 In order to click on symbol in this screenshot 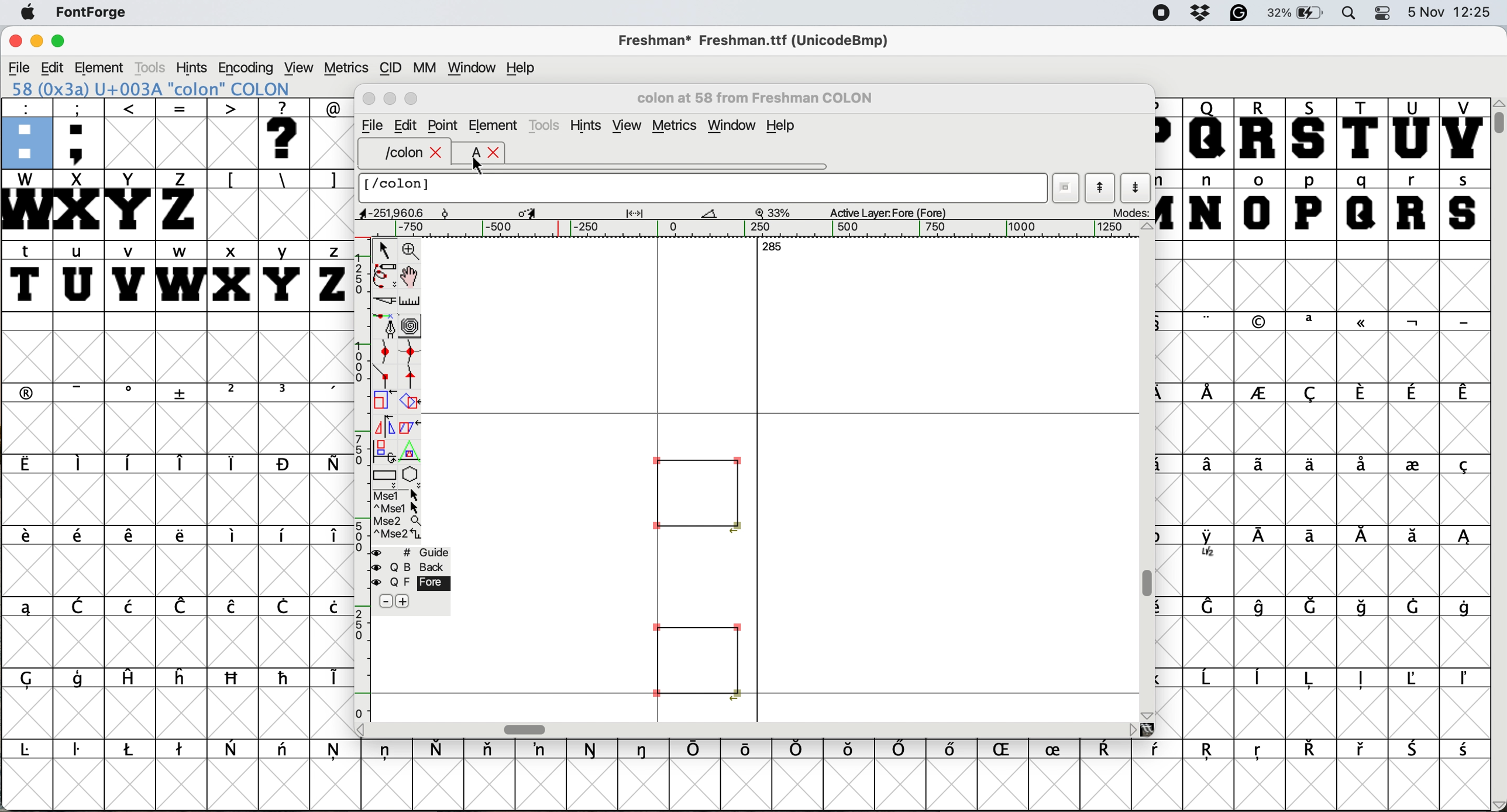, I will do `click(1315, 605)`.